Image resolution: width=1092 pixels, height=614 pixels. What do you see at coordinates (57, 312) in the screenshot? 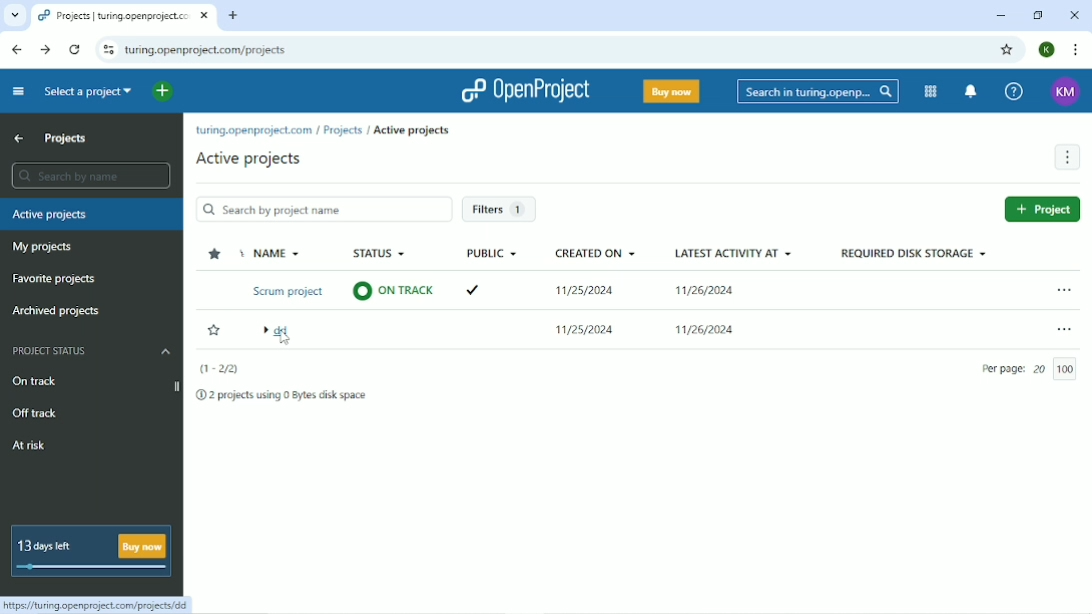
I see `Archived projects` at bounding box center [57, 312].